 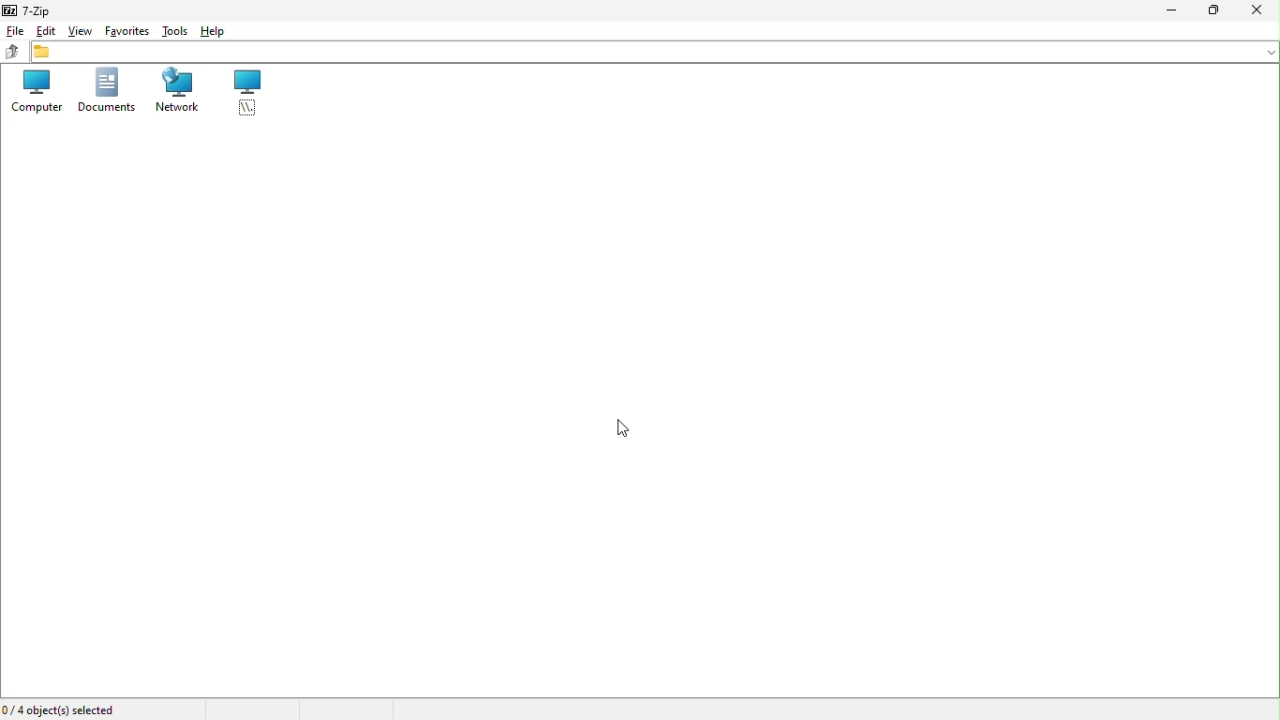 I want to click on restore, so click(x=1216, y=11).